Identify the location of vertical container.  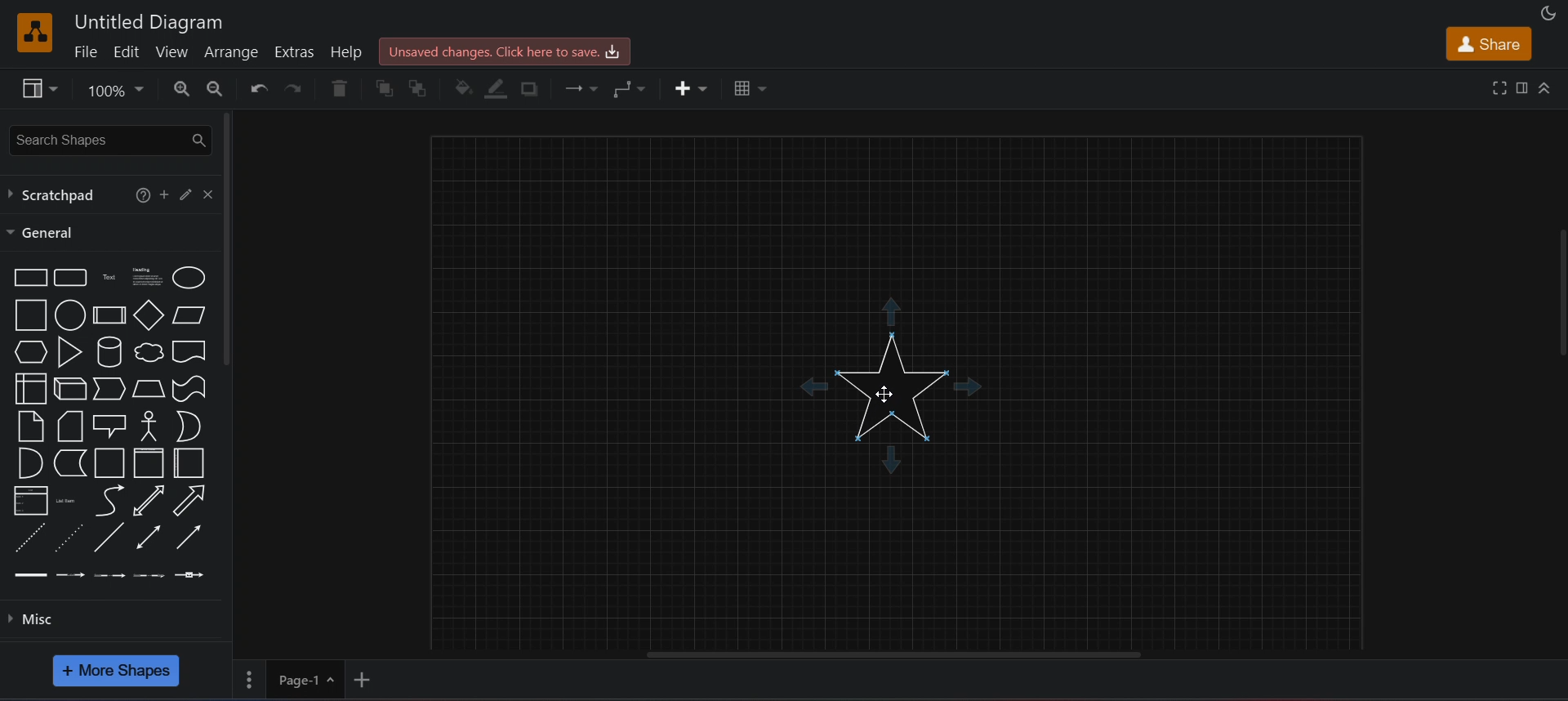
(149, 463).